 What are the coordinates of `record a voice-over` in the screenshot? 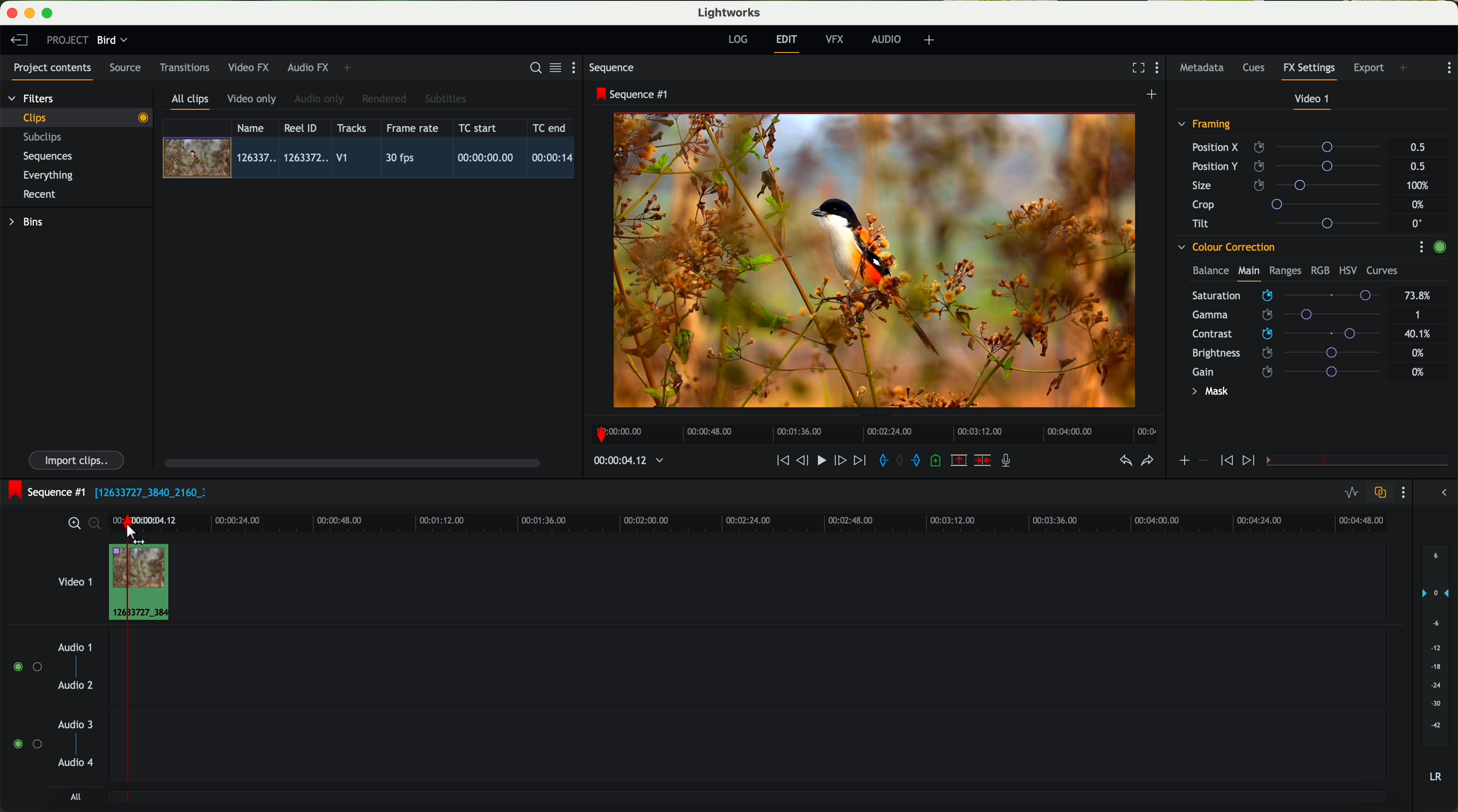 It's located at (1010, 462).